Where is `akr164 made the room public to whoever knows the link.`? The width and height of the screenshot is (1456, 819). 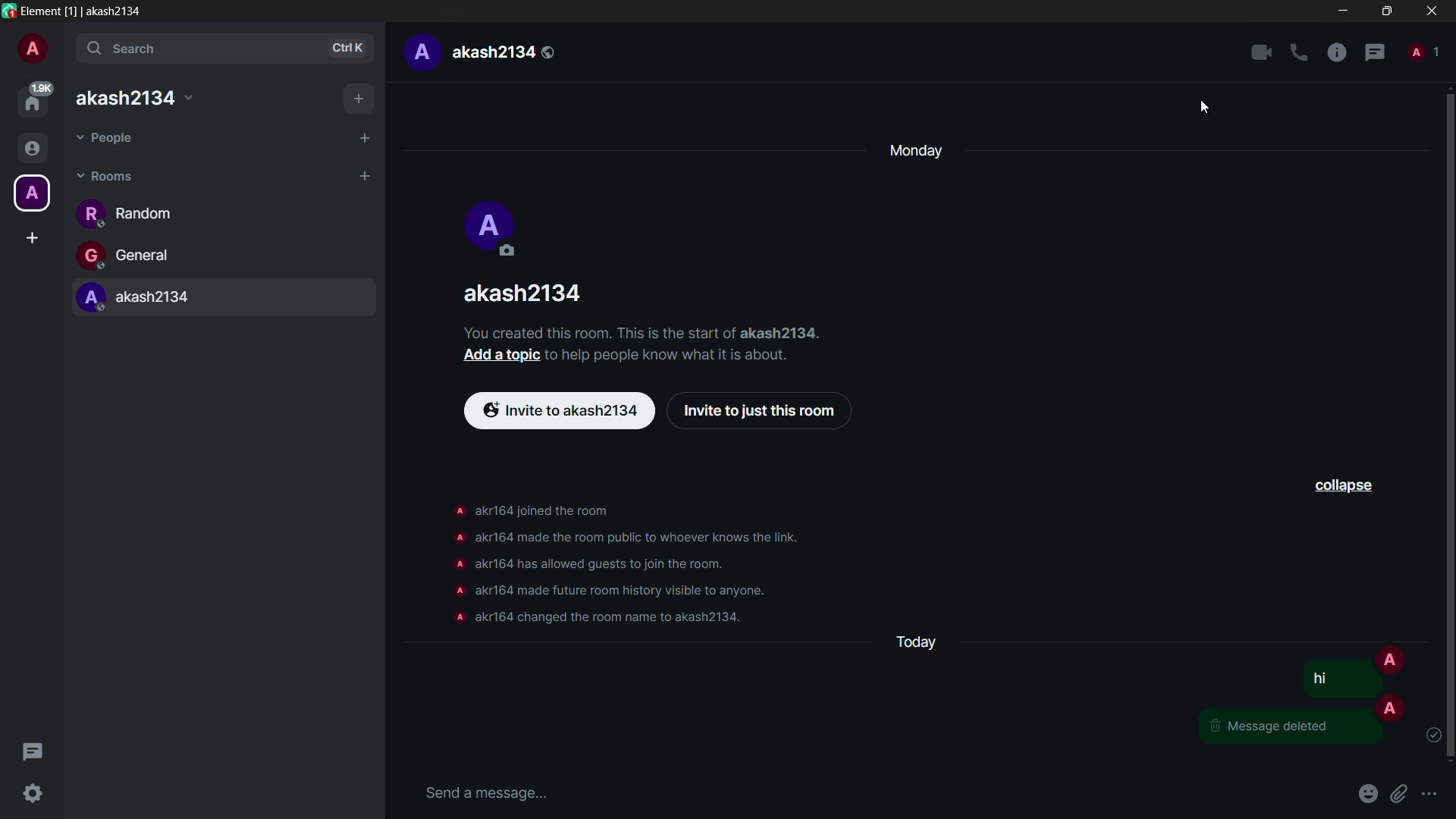
akr164 made the room public to whoever knows the link. is located at coordinates (645, 537).